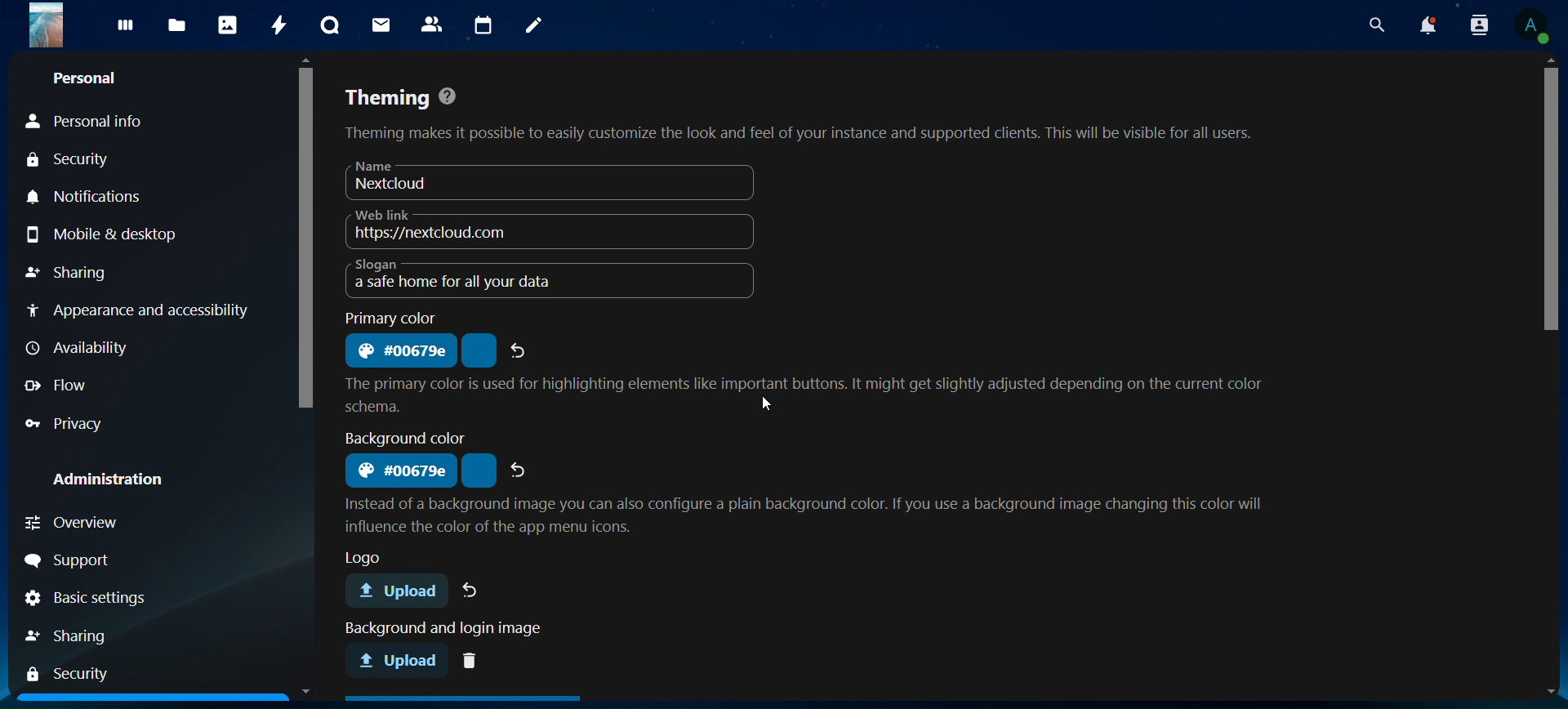  I want to click on text, so click(396, 319).